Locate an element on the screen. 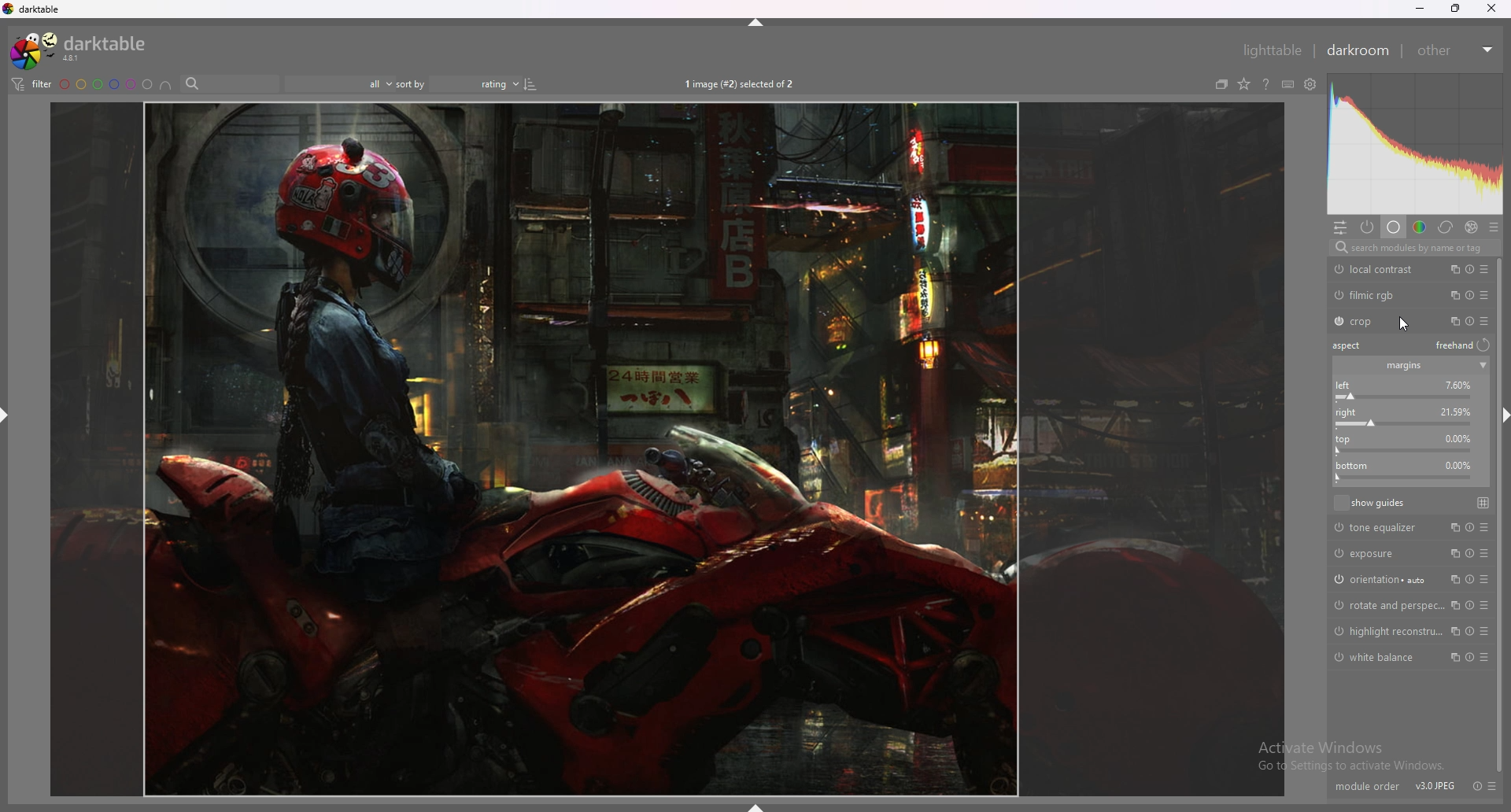 The width and height of the screenshot is (1511, 812). color label is located at coordinates (106, 83).